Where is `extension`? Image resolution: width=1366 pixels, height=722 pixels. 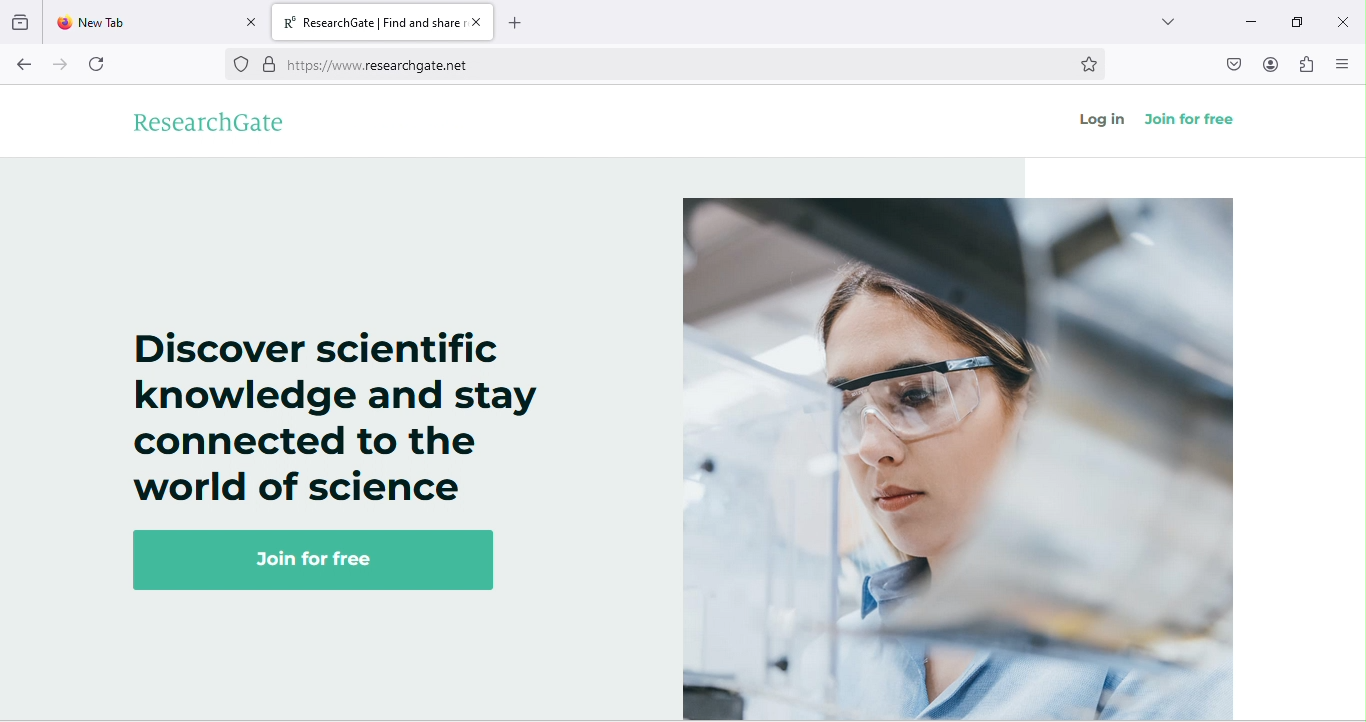 extension is located at coordinates (1308, 69).